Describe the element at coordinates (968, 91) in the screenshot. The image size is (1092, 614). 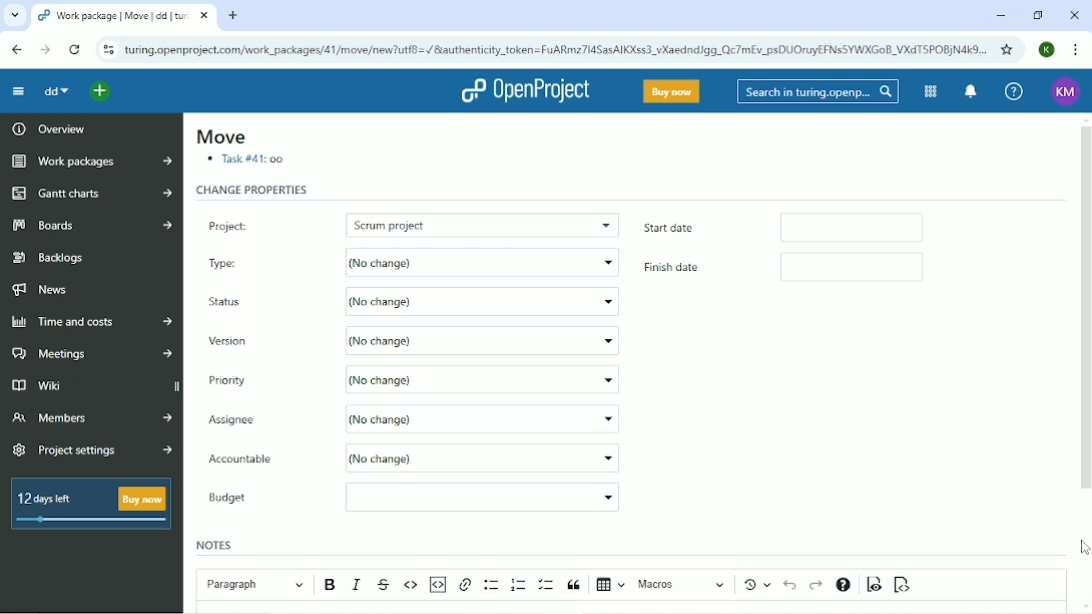
I see `To notification center` at that location.